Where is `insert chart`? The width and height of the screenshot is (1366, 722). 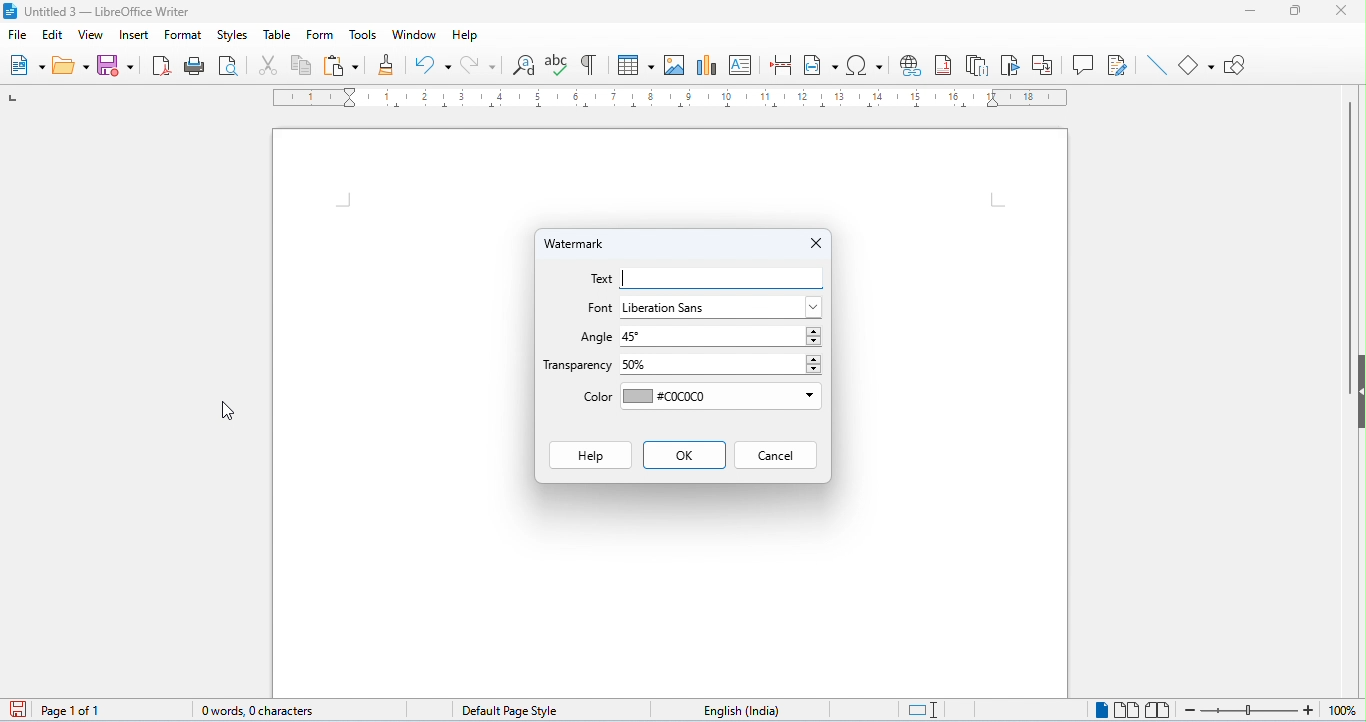 insert chart is located at coordinates (708, 63).